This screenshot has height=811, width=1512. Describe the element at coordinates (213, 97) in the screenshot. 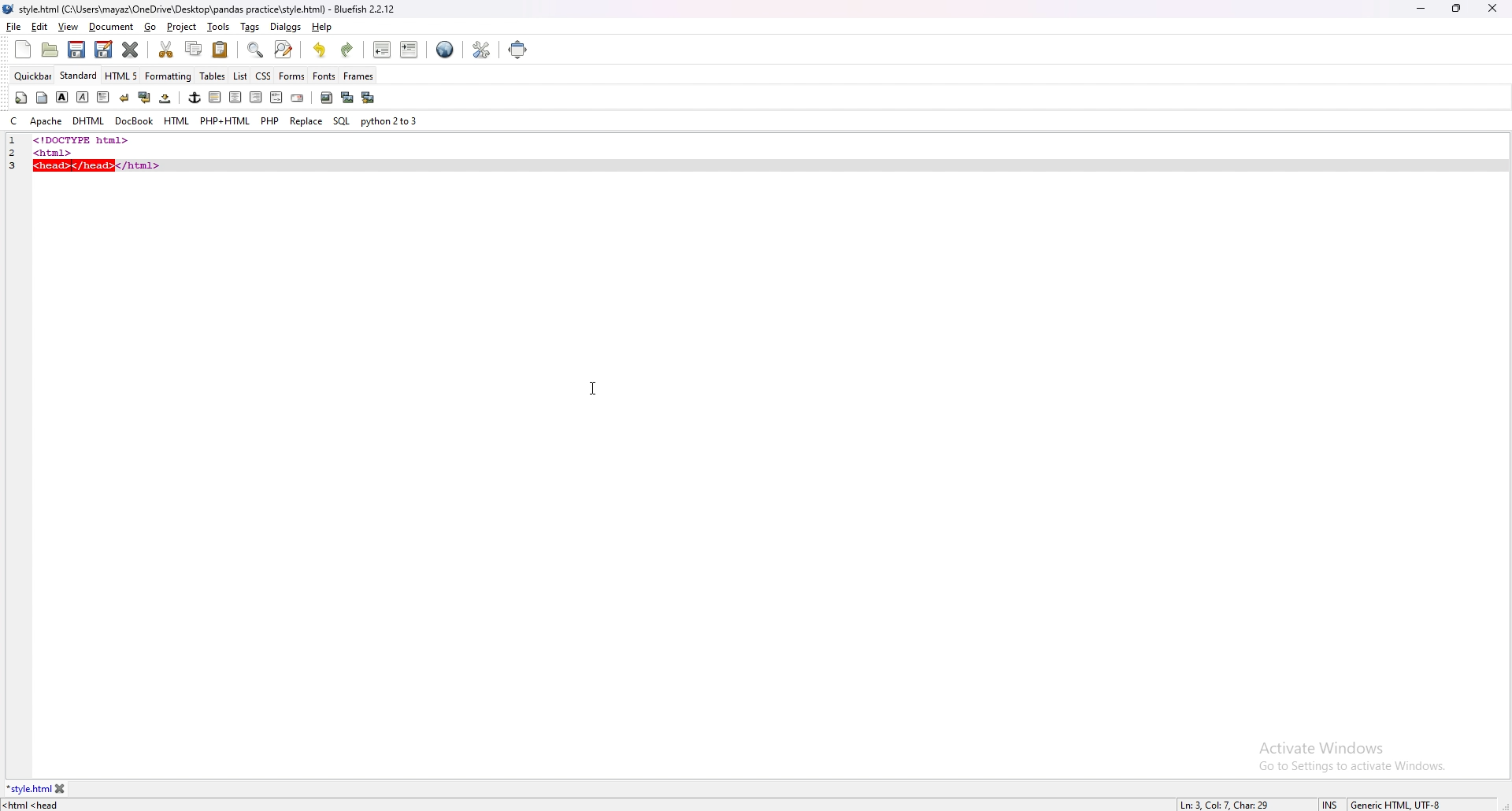

I see `left indent` at that location.